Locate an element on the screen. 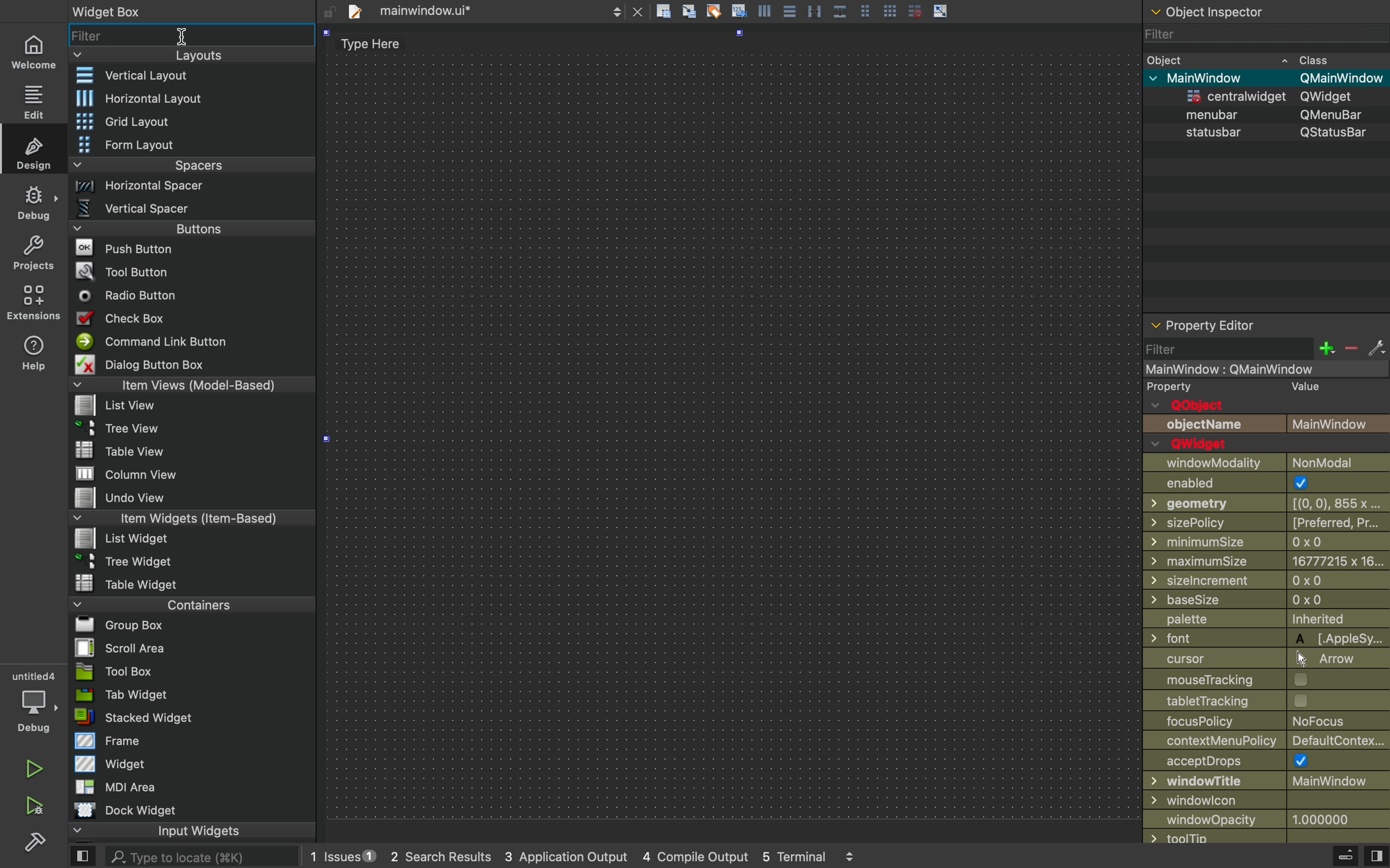  widget is located at coordinates (191, 764).